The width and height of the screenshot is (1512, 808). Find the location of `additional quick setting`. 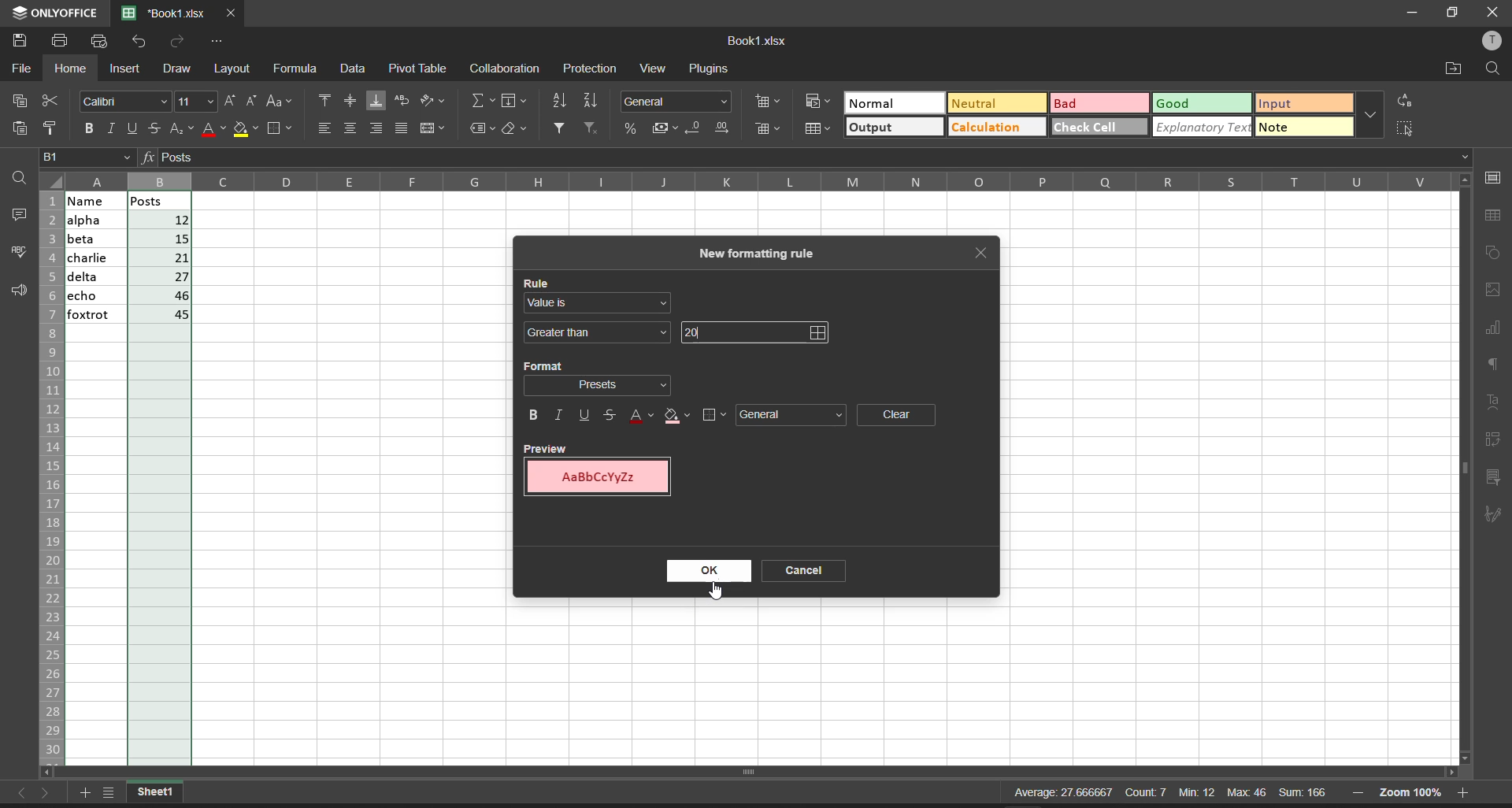

additional quick setting is located at coordinates (1369, 109).